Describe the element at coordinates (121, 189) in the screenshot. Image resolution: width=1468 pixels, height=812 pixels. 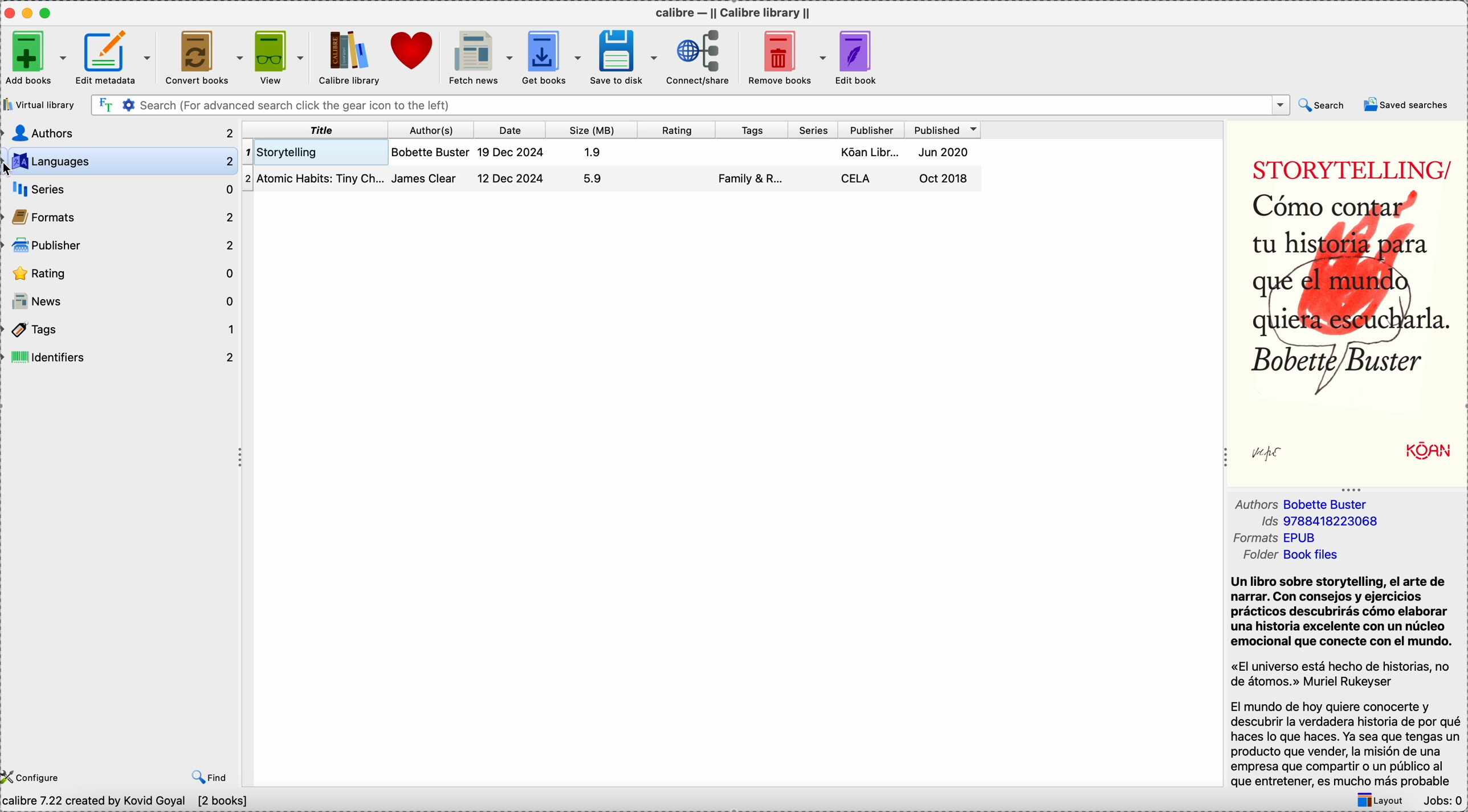
I see `series` at that location.